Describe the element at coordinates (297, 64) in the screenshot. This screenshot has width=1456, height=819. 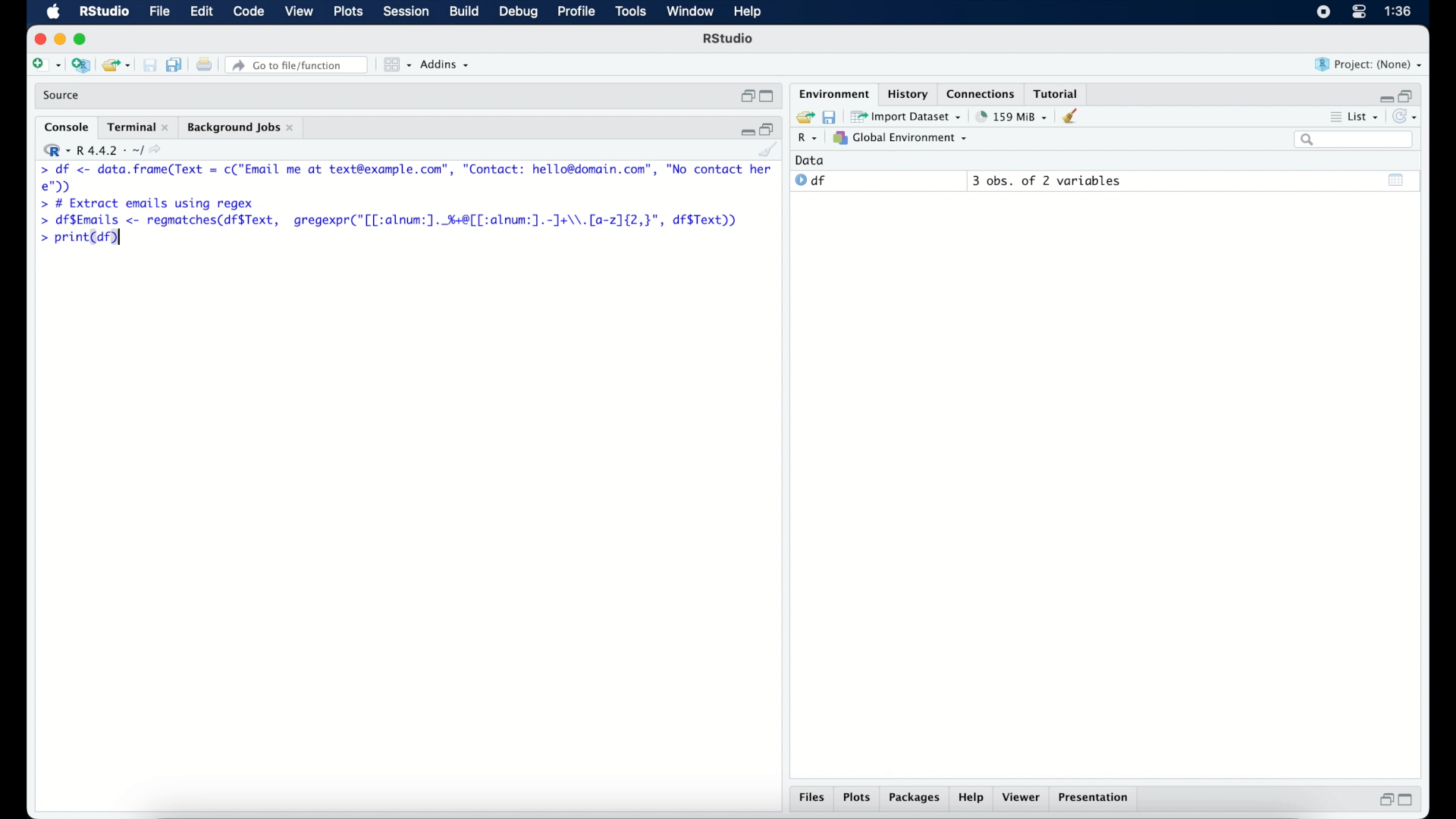
I see `Go to file/function` at that location.